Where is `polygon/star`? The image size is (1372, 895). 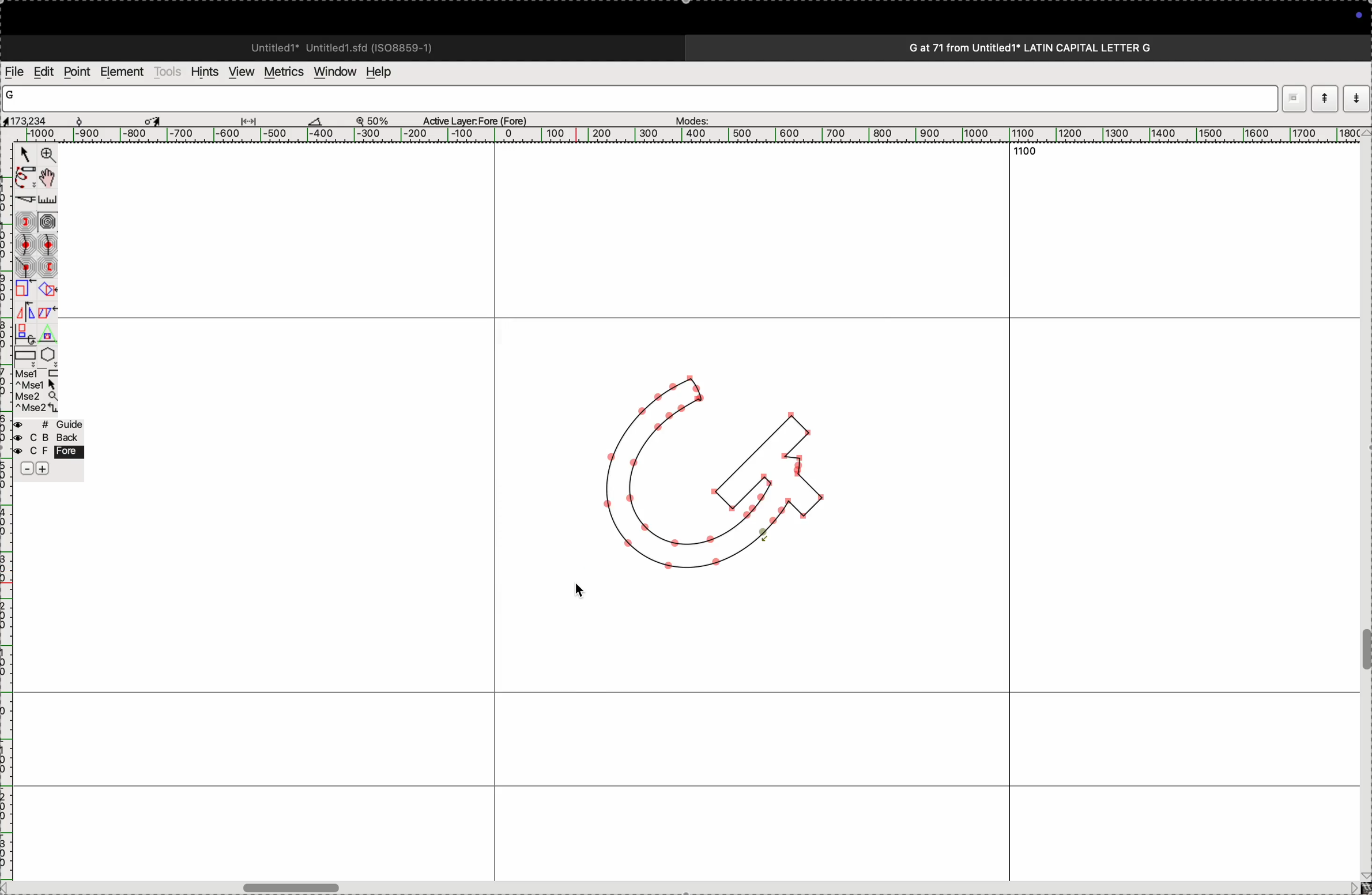 polygon/star is located at coordinates (49, 354).